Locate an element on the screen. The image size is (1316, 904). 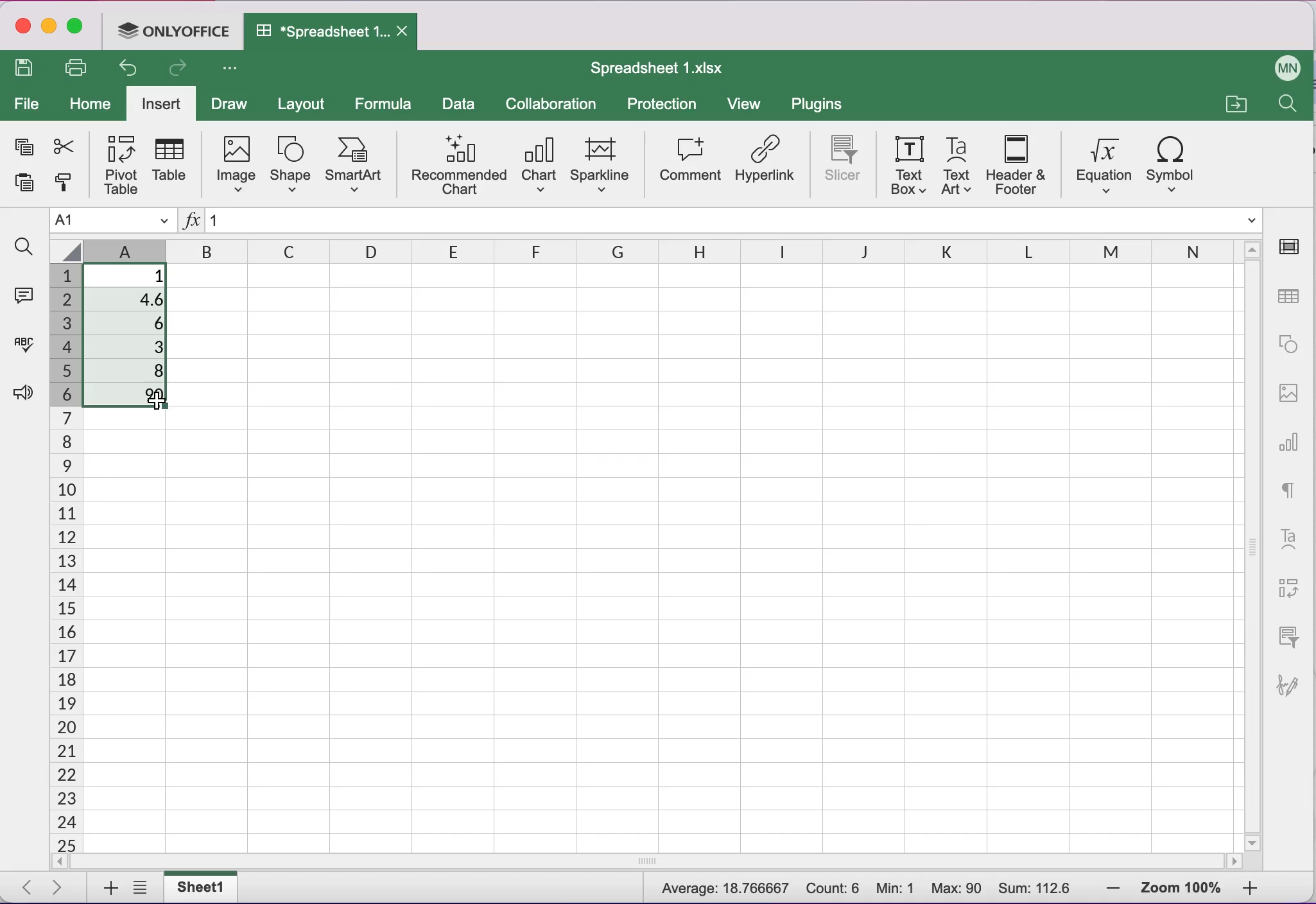
ONLYOFFICE is located at coordinates (175, 31).